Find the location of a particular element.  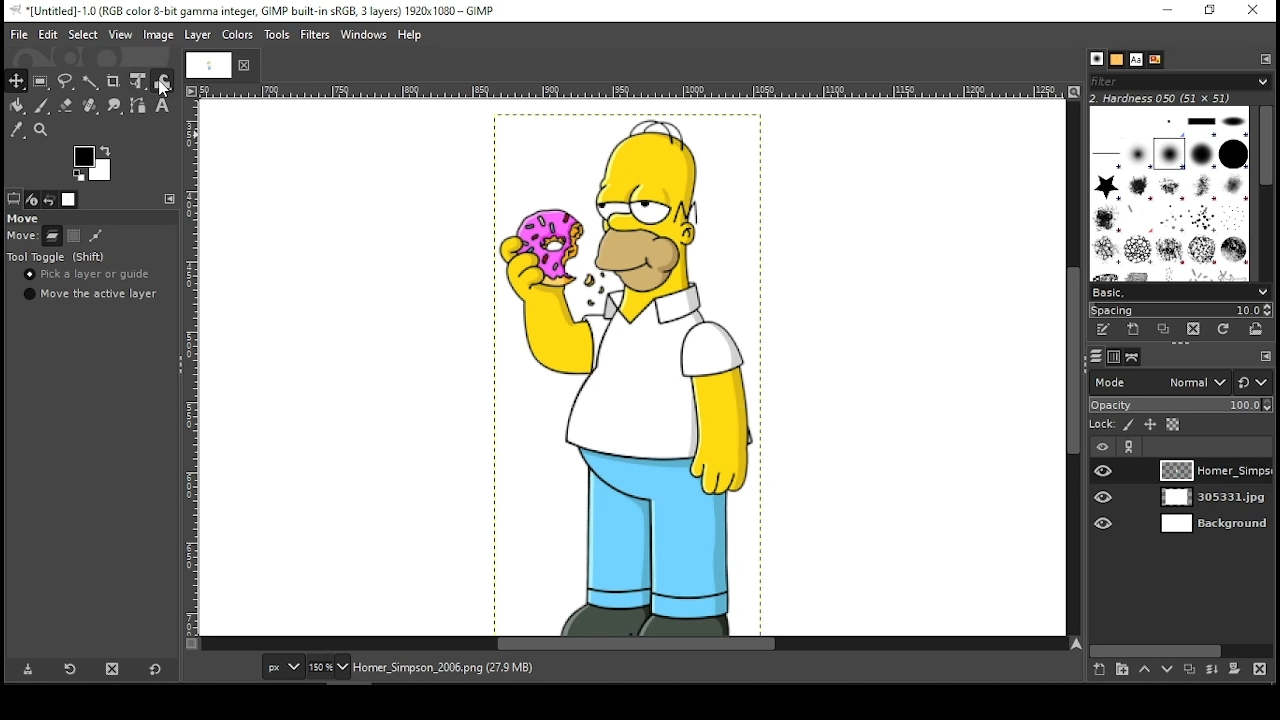

basic is located at coordinates (1181, 293).